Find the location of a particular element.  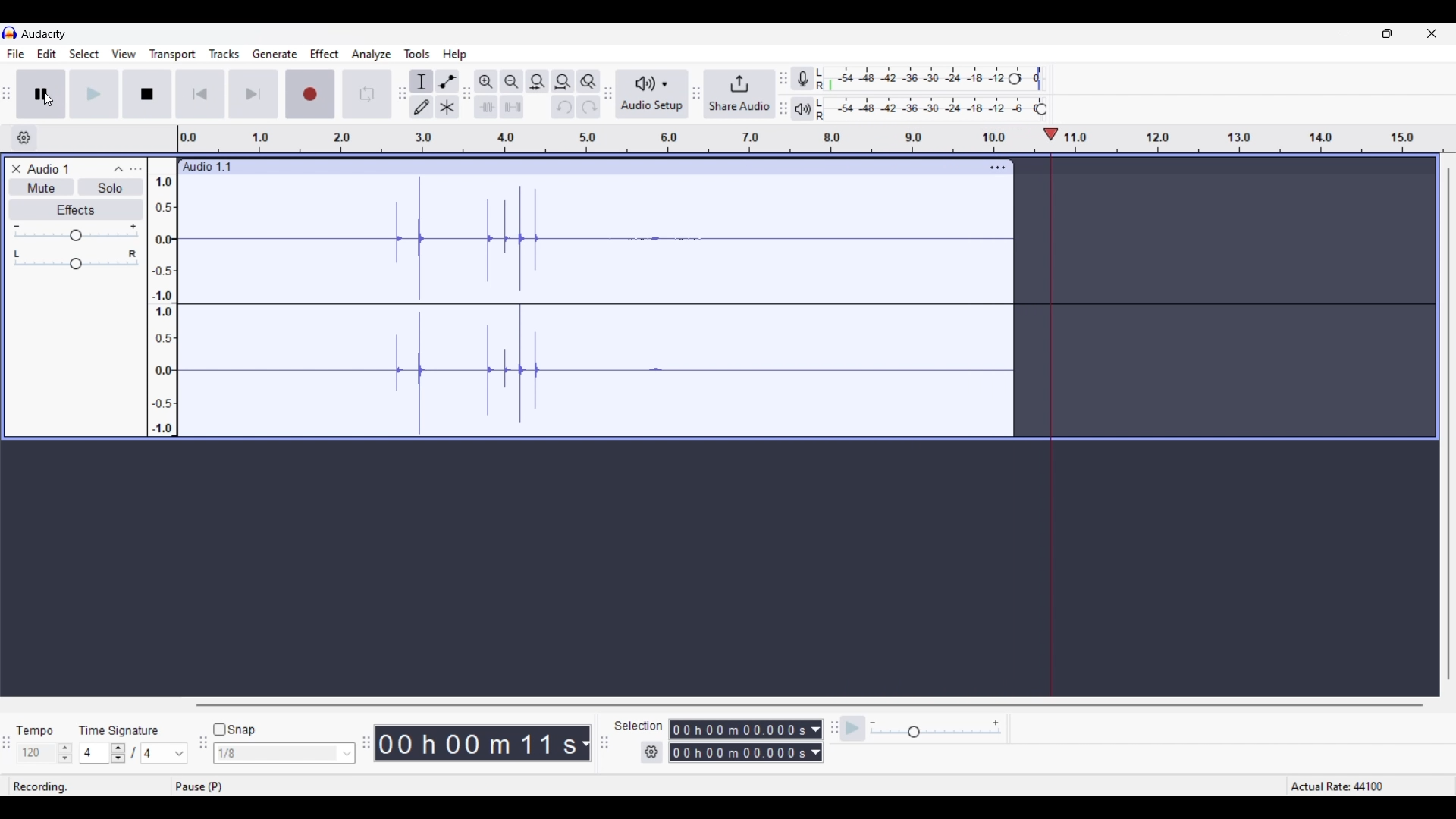

Playhead is located at coordinates (1050, 134).